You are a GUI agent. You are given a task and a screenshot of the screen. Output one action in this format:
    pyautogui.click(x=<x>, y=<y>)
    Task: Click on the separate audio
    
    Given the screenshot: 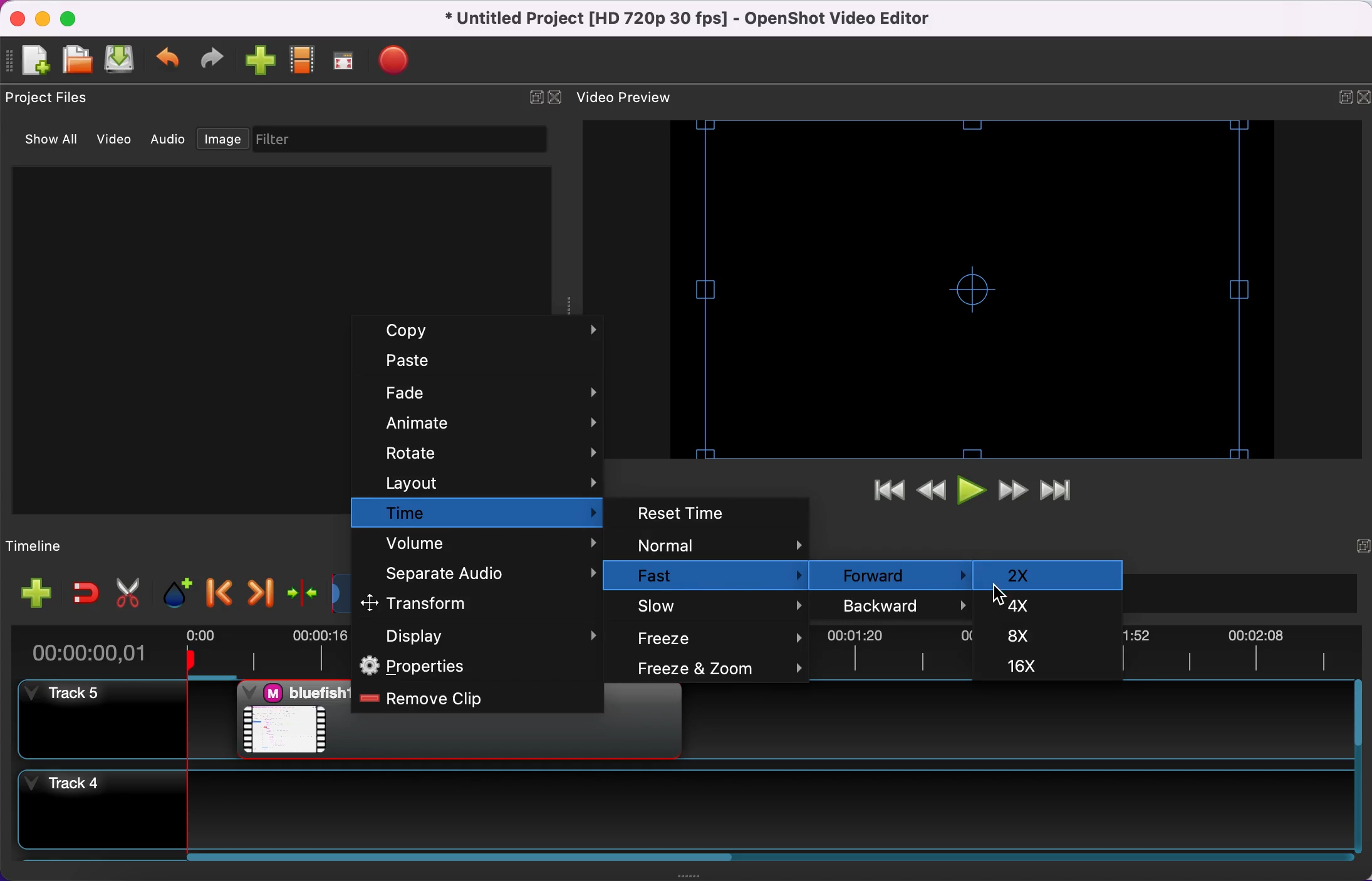 What is the action you would take?
    pyautogui.click(x=484, y=575)
    